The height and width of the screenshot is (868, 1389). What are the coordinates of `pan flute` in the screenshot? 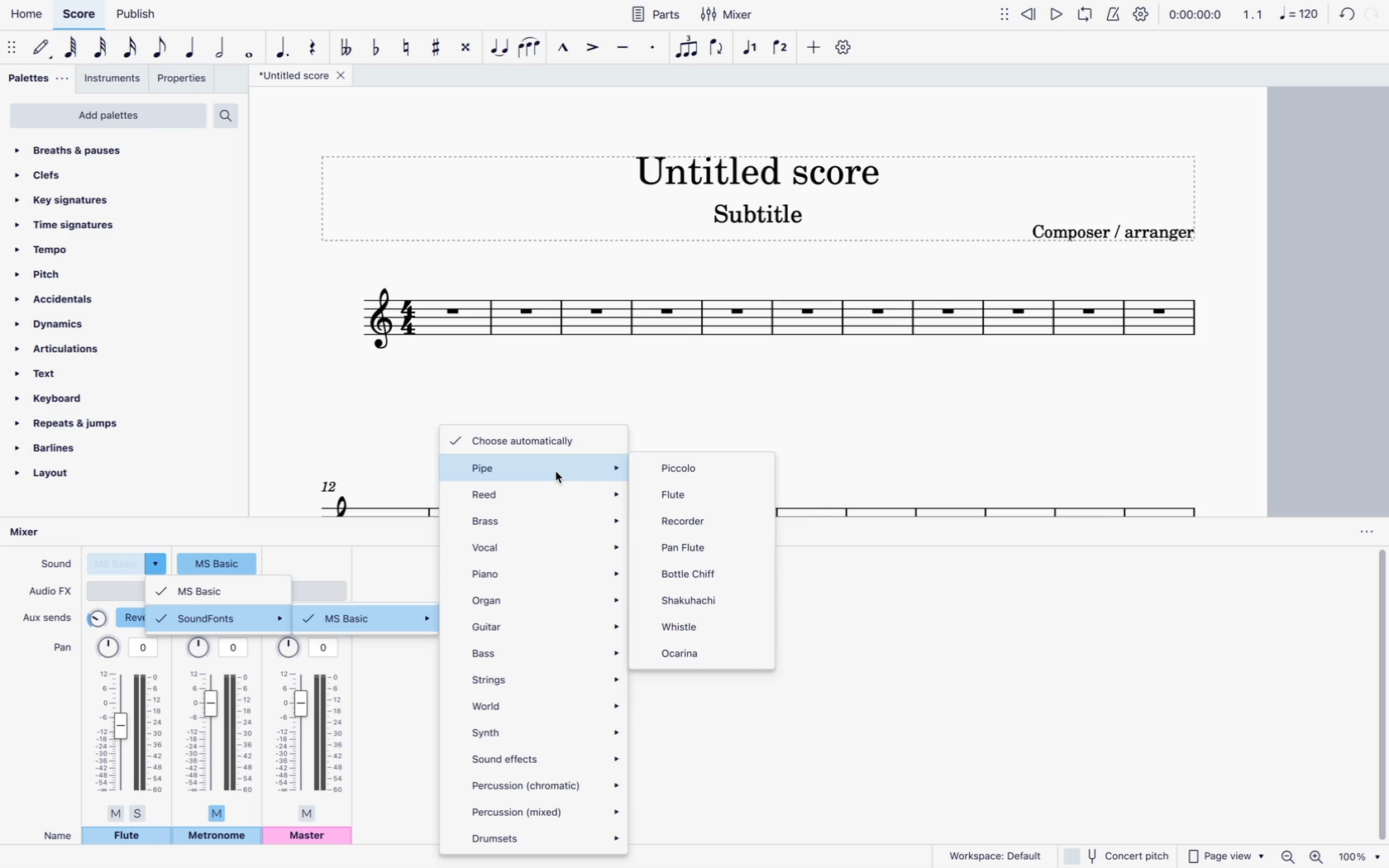 It's located at (688, 545).